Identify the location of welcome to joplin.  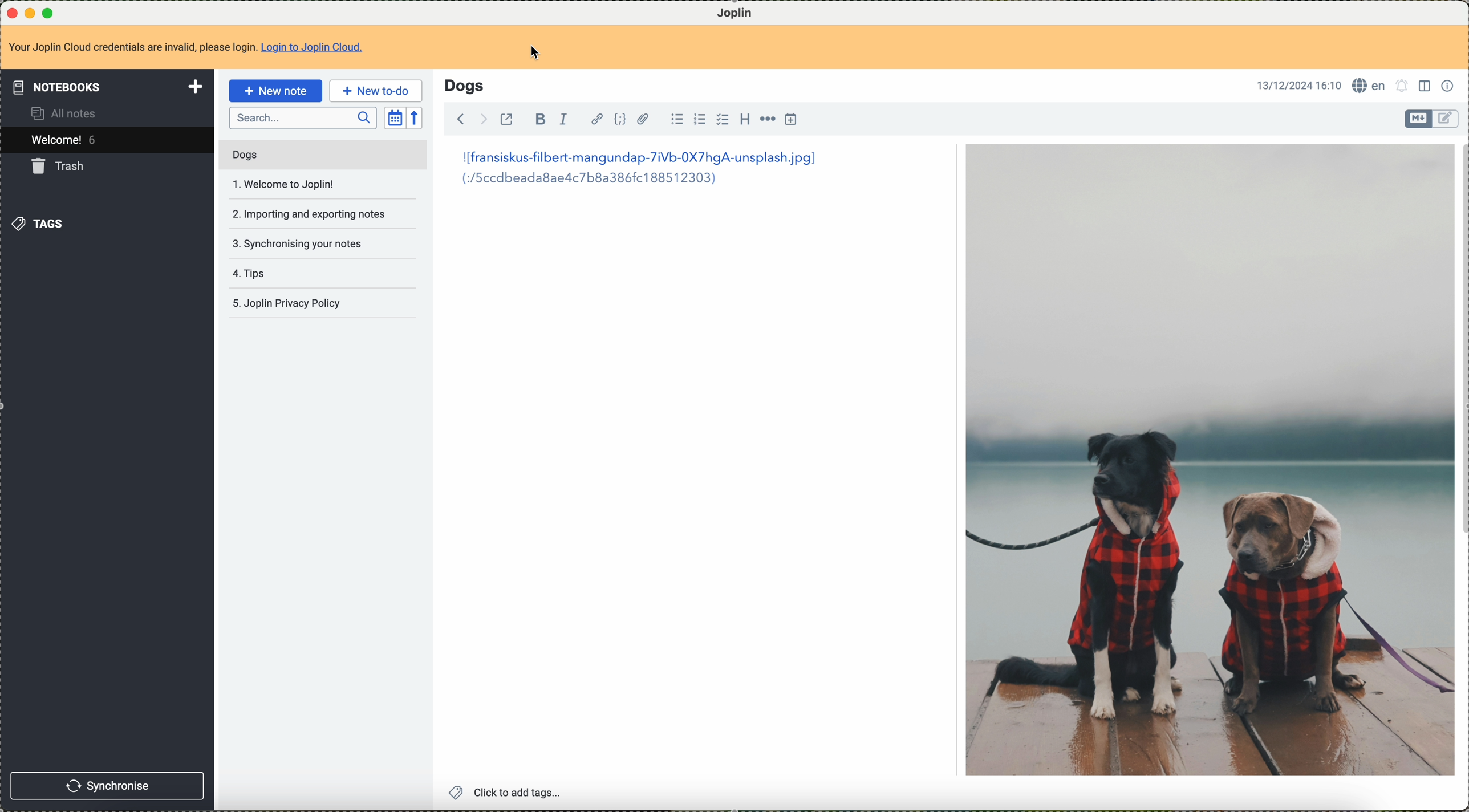
(290, 182).